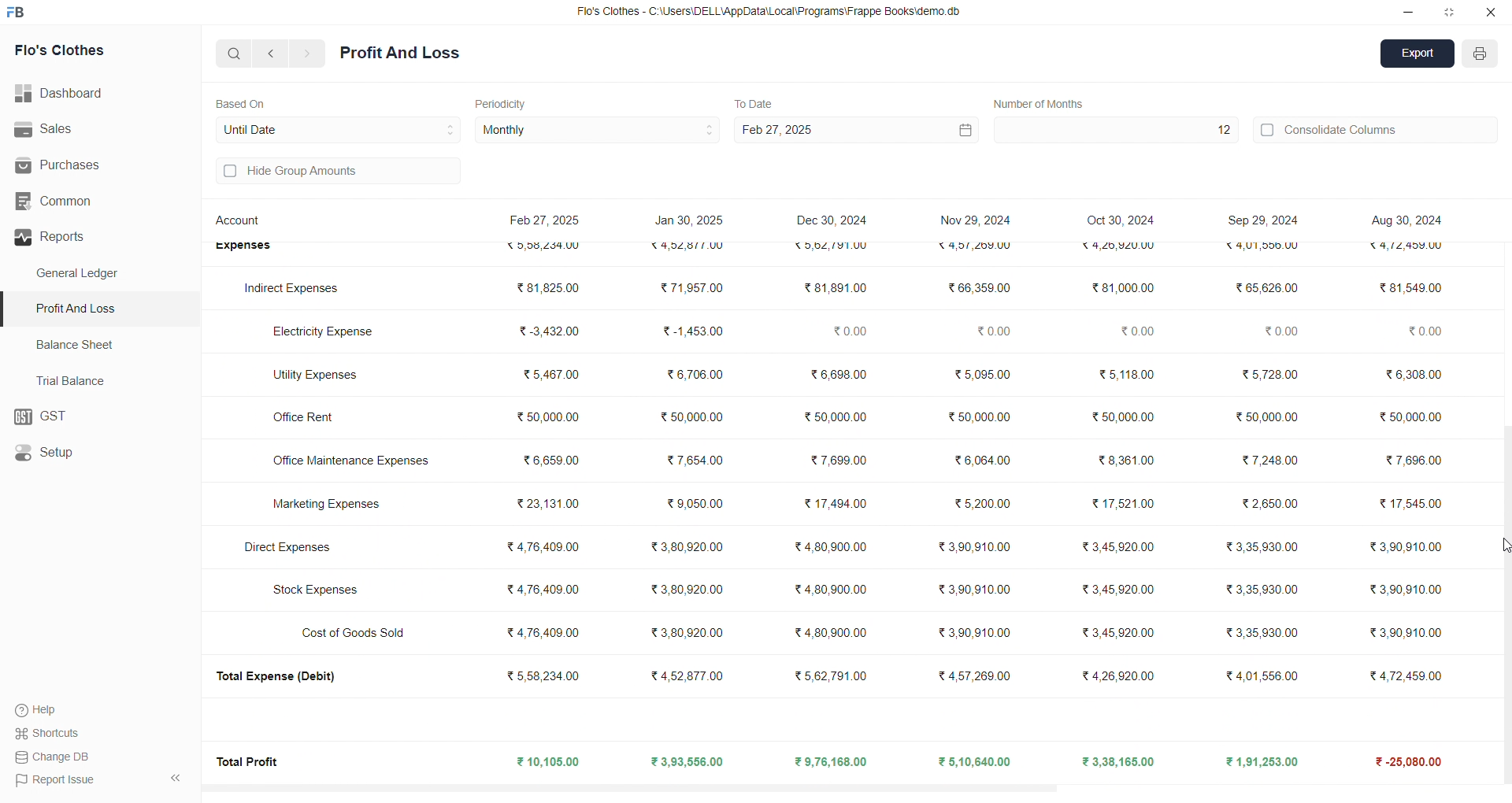  What do you see at coordinates (1115, 288) in the screenshot?
I see `₹81,000.00` at bounding box center [1115, 288].